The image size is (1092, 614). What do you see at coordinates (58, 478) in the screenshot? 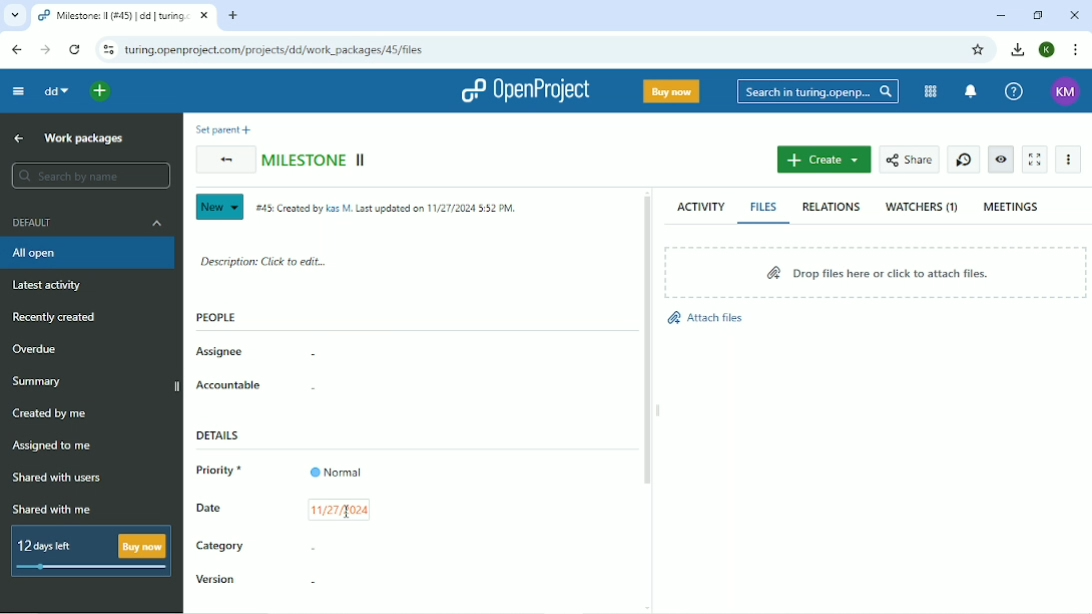
I see `Shared with users` at bounding box center [58, 478].